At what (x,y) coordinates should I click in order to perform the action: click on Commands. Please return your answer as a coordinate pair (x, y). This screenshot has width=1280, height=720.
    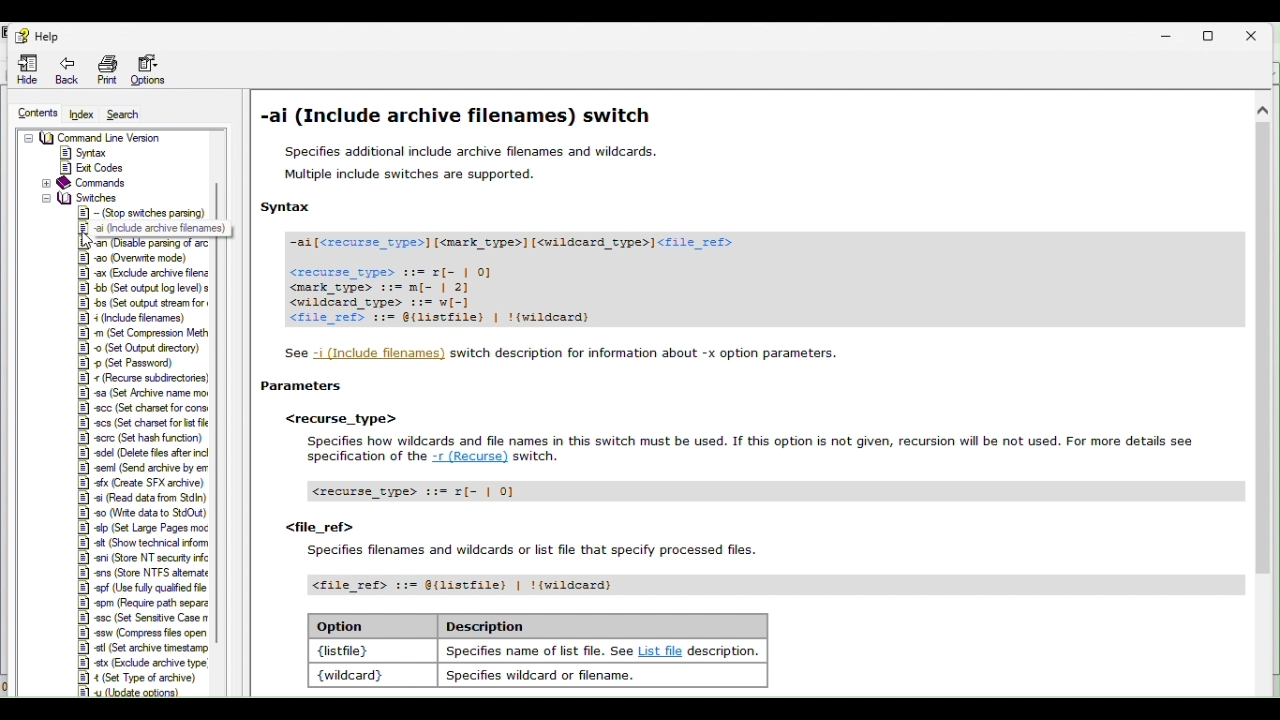
    Looking at the image, I should click on (87, 184).